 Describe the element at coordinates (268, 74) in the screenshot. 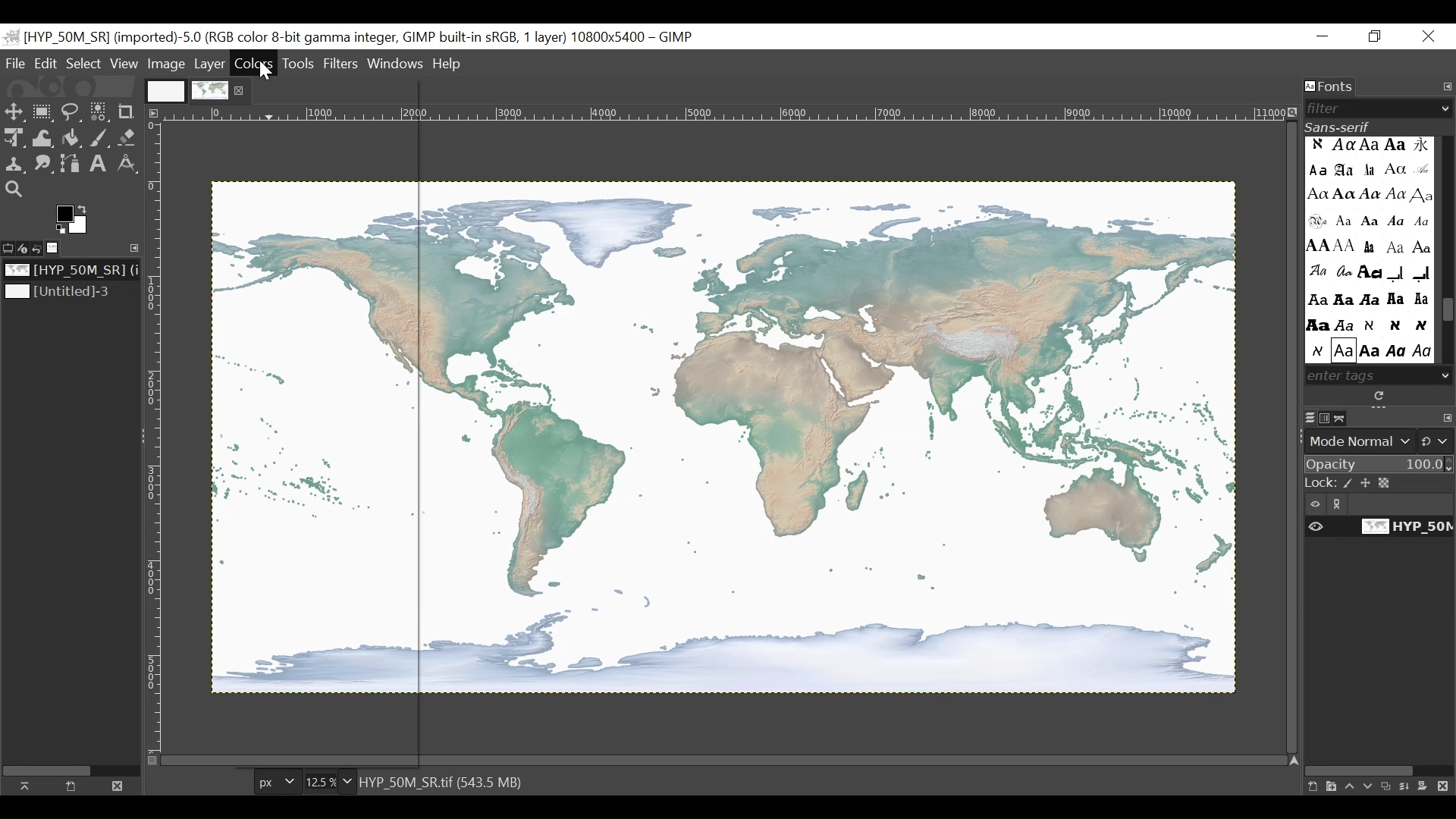

I see `cursor` at that location.